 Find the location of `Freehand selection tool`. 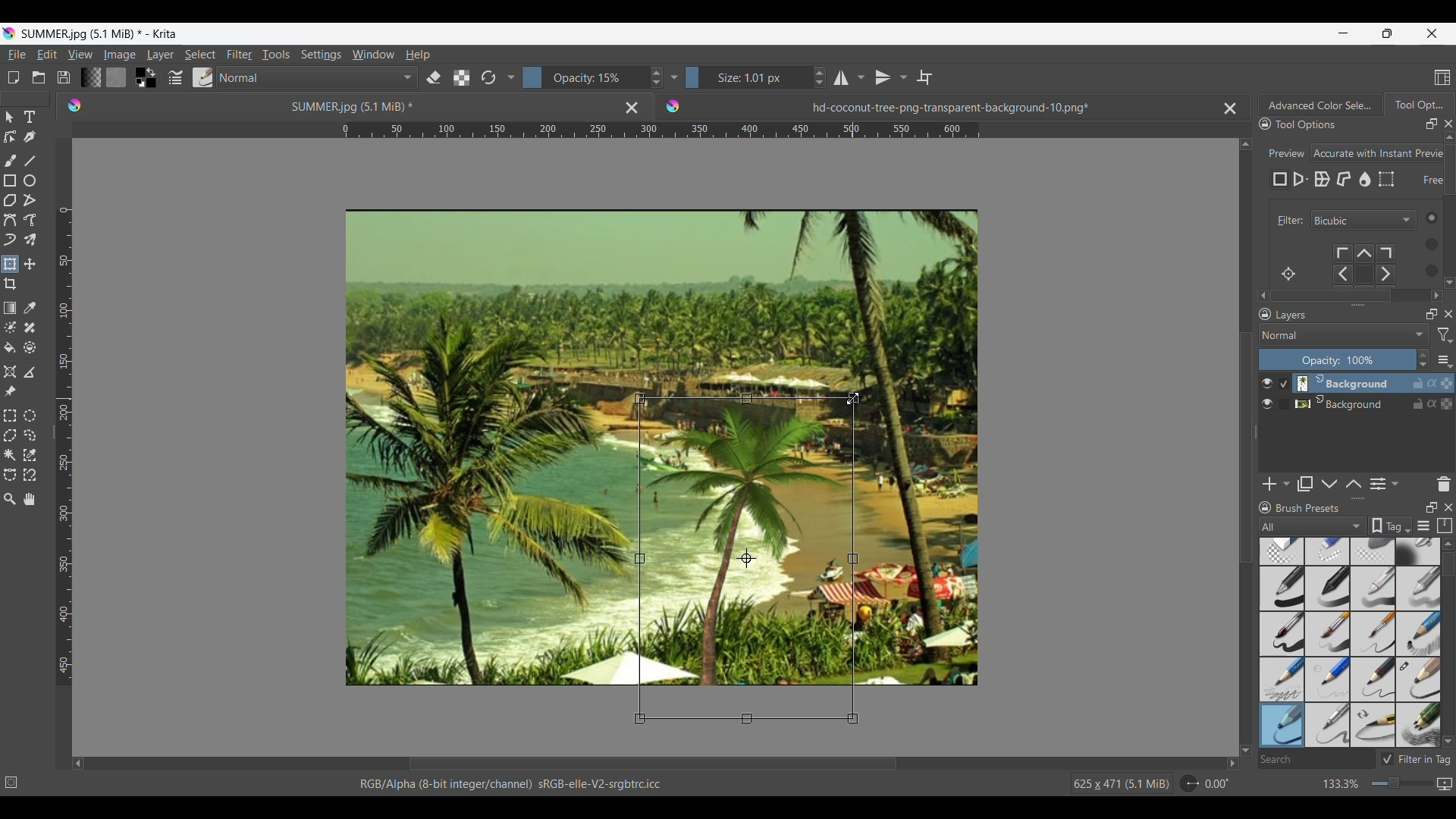

Freehand selection tool is located at coordinates (29, 435).